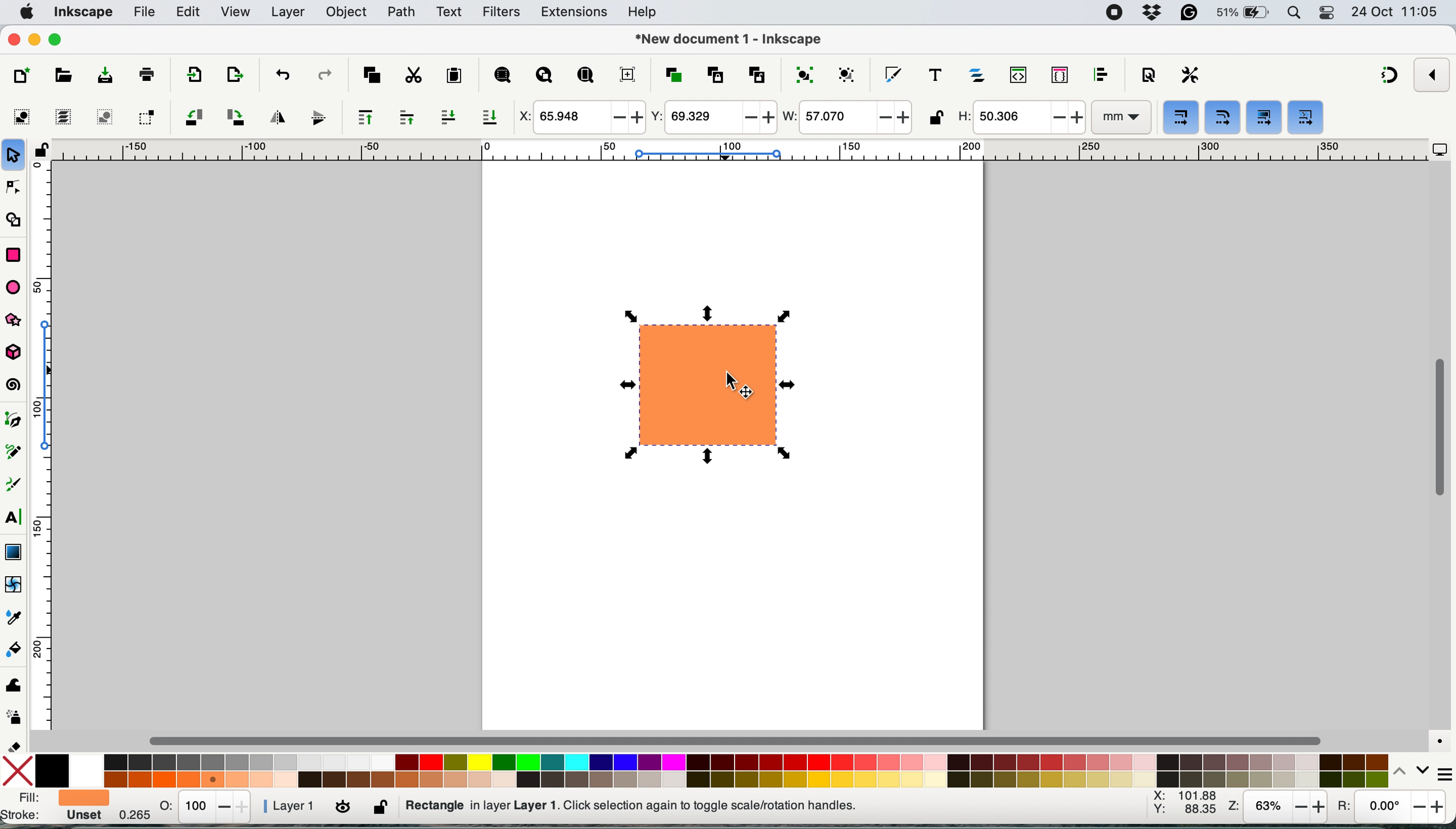 Image resolution: width=1456 pixels, height=829 pixels. Describe the element at coordinates (59, 39) in the screenshot. I see `maximise` at that location.